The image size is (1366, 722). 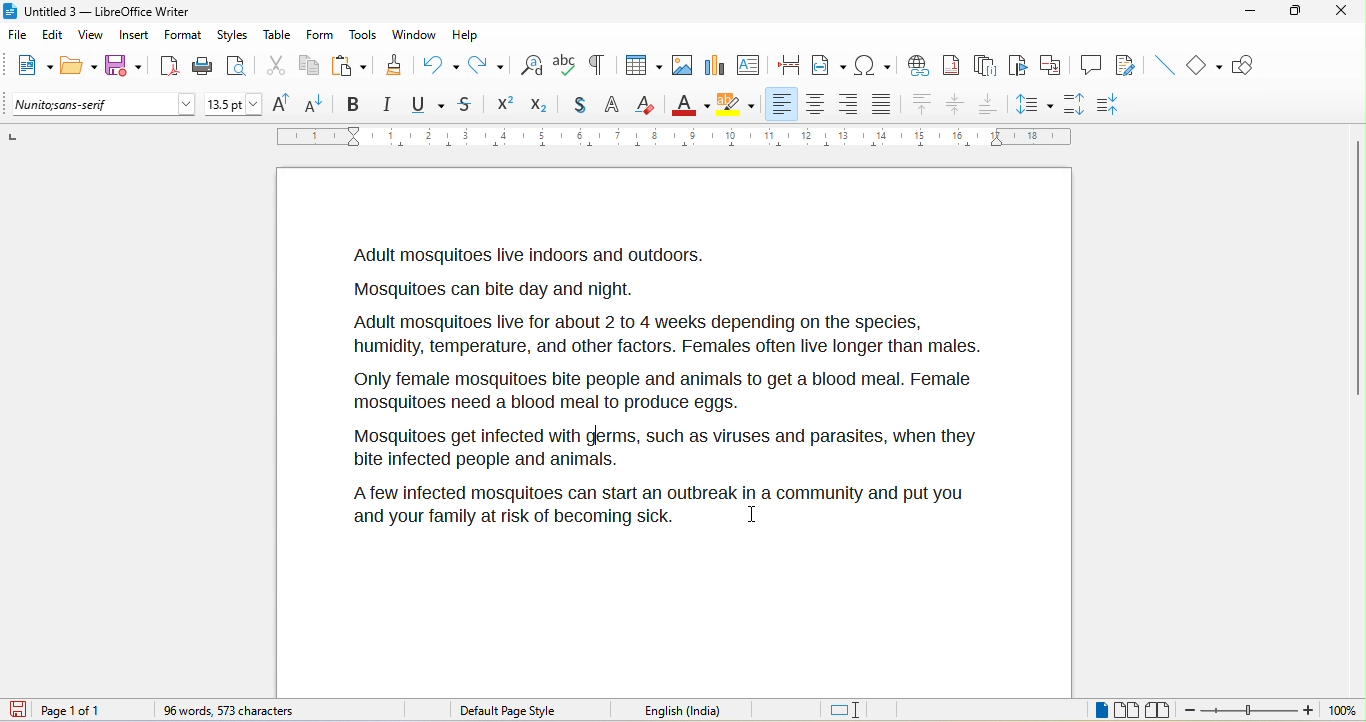 I want to click on bookmark, so click(x=1019, y=66).